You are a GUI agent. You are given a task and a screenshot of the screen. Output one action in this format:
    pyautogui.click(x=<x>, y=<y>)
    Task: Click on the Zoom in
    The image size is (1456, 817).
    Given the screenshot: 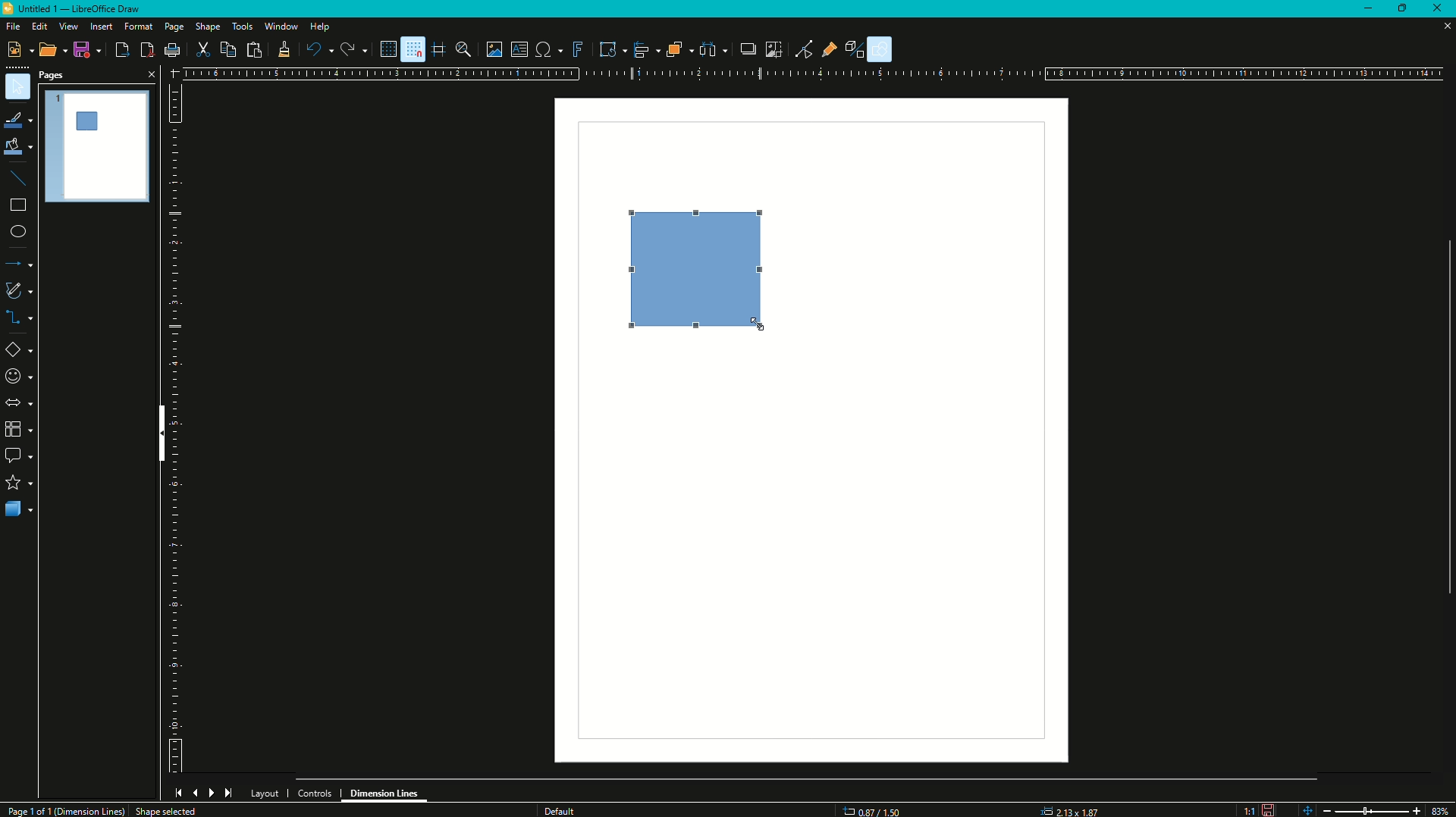 What is the action you would take?
    pyautogui.click(x=1416, y=810)
    